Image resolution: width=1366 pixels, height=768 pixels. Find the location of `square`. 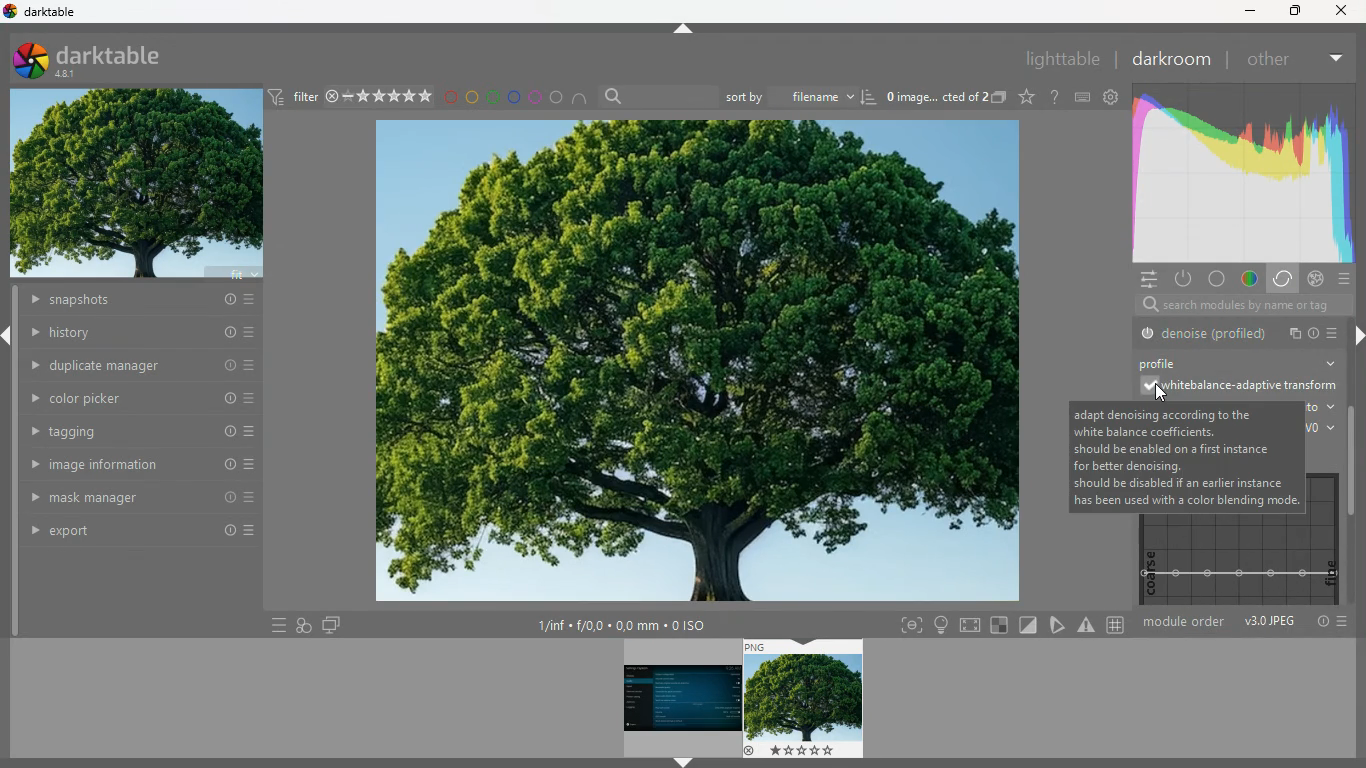

square is located at coordinates (1001, 625).